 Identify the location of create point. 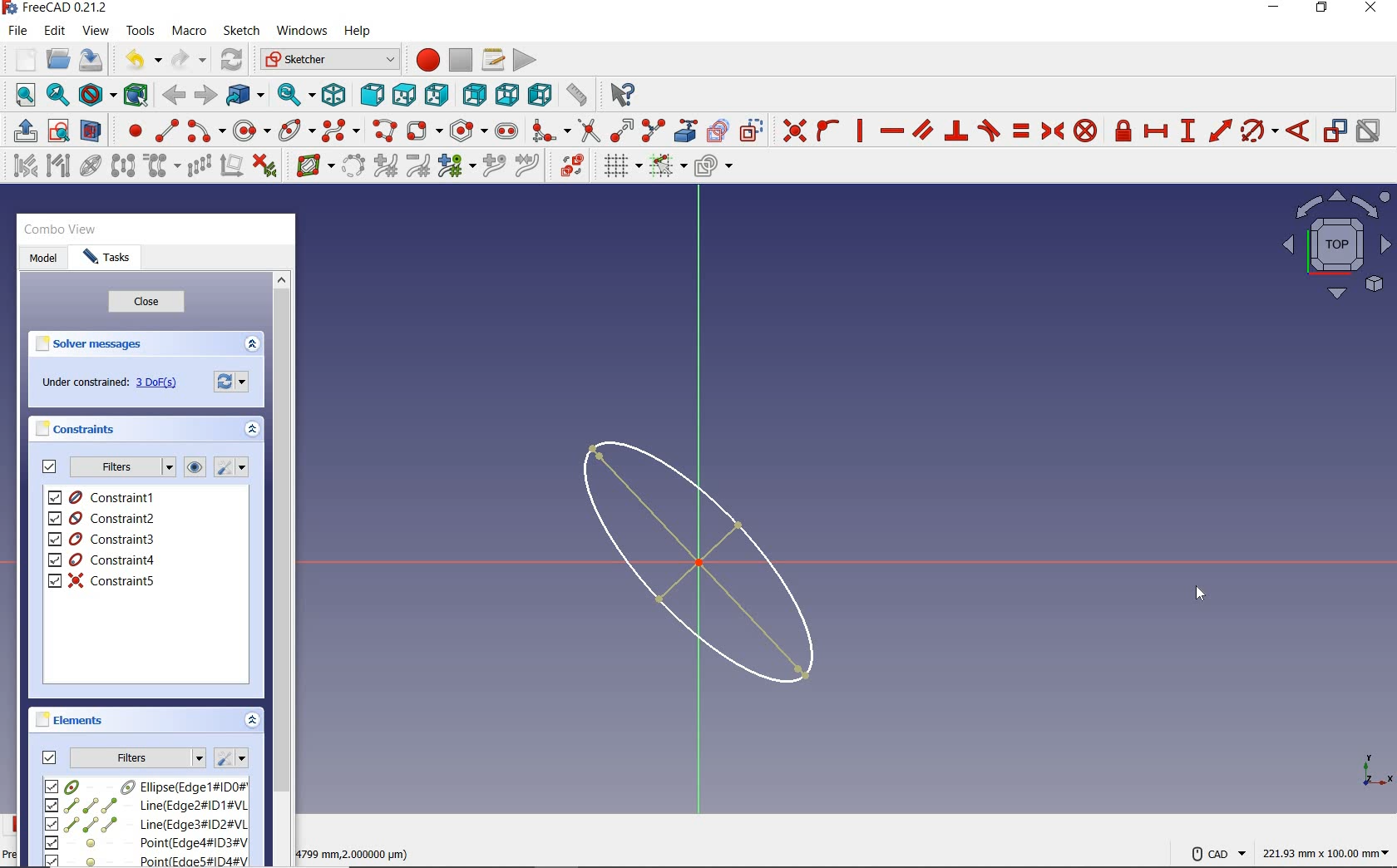
(131, 131).